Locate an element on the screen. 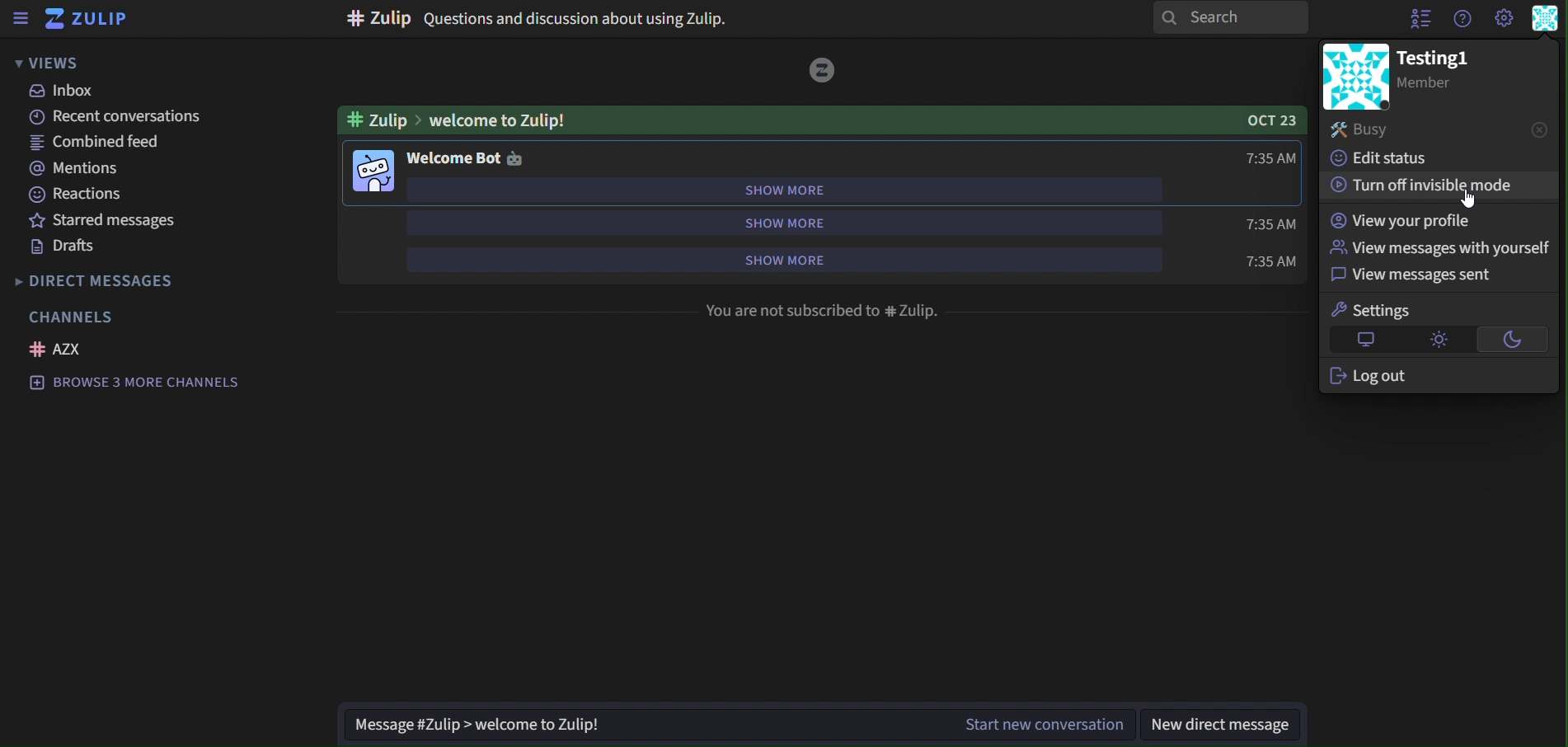 The height and width of the screenshot is (747, 1568). browse 3 more channels is located at coordinates (153, 382).